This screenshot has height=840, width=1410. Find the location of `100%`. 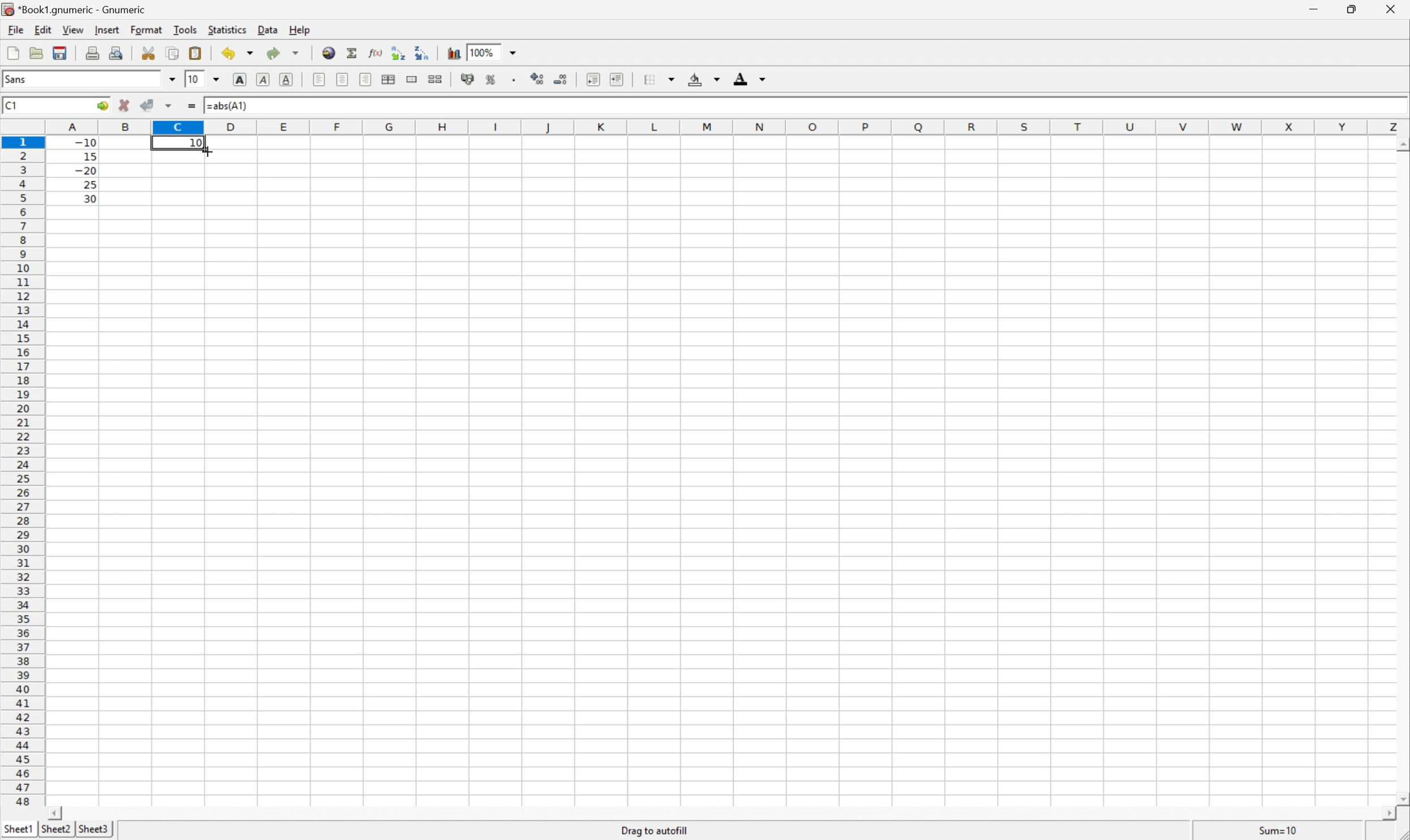

100% is located at coordinates (484, 52).